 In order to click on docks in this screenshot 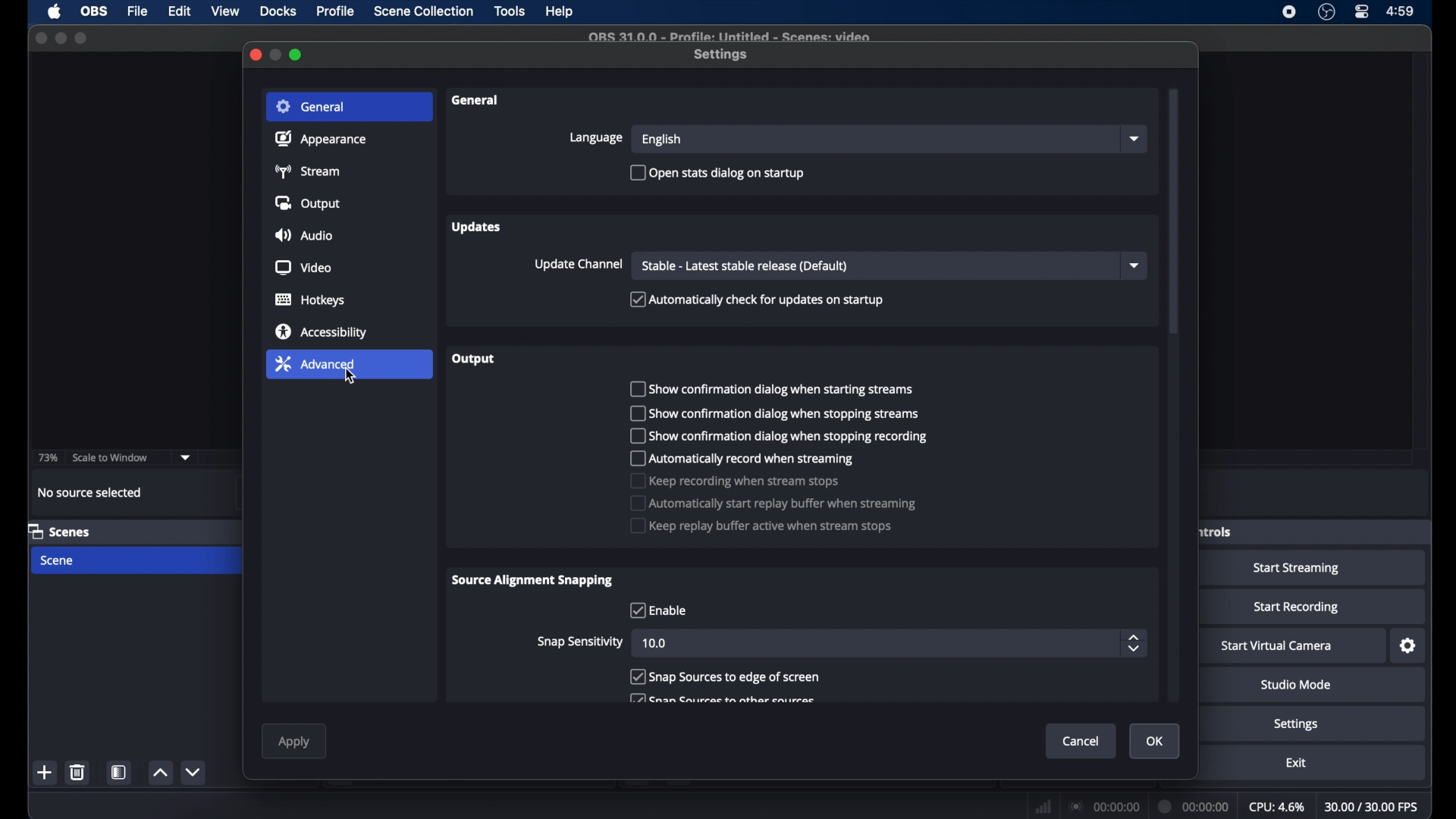, I will do `click(278, 11)`.